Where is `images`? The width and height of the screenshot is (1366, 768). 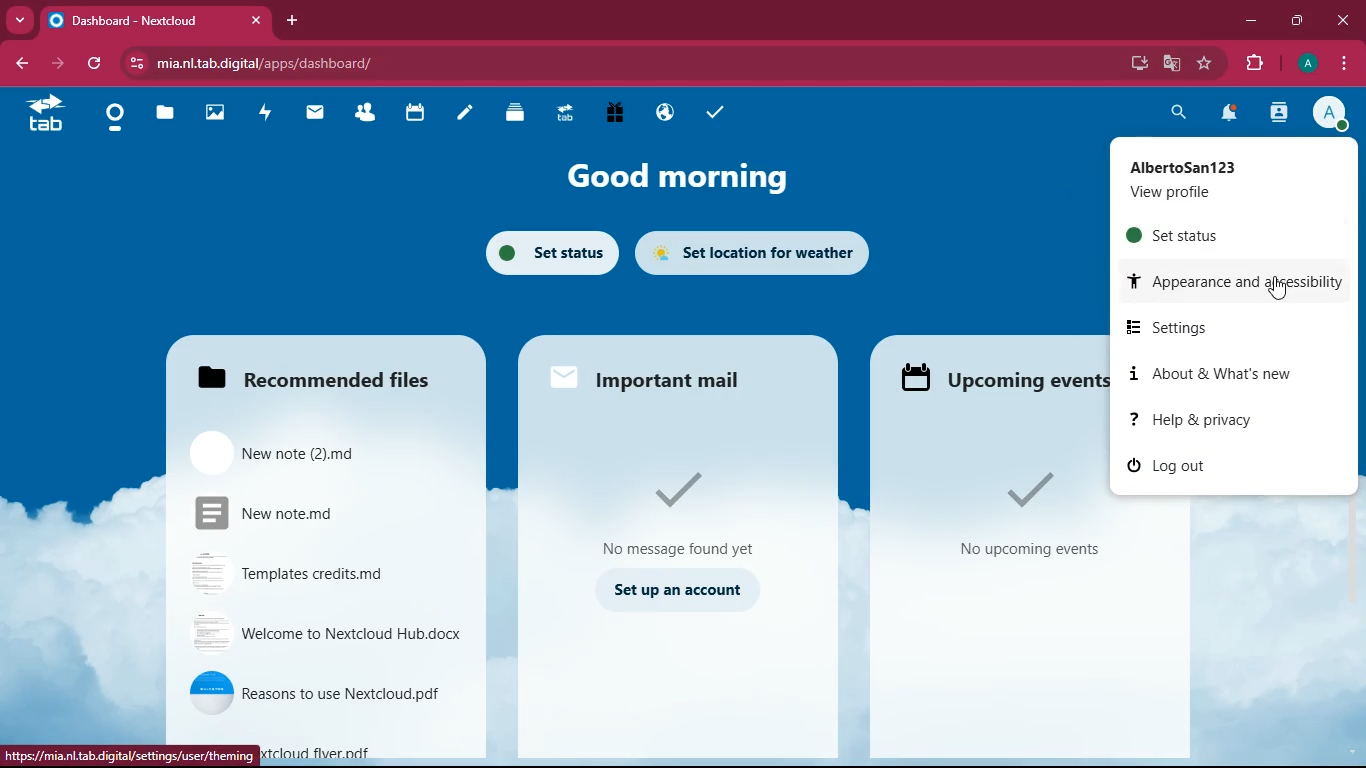
images is located at coordinates (215, 113).